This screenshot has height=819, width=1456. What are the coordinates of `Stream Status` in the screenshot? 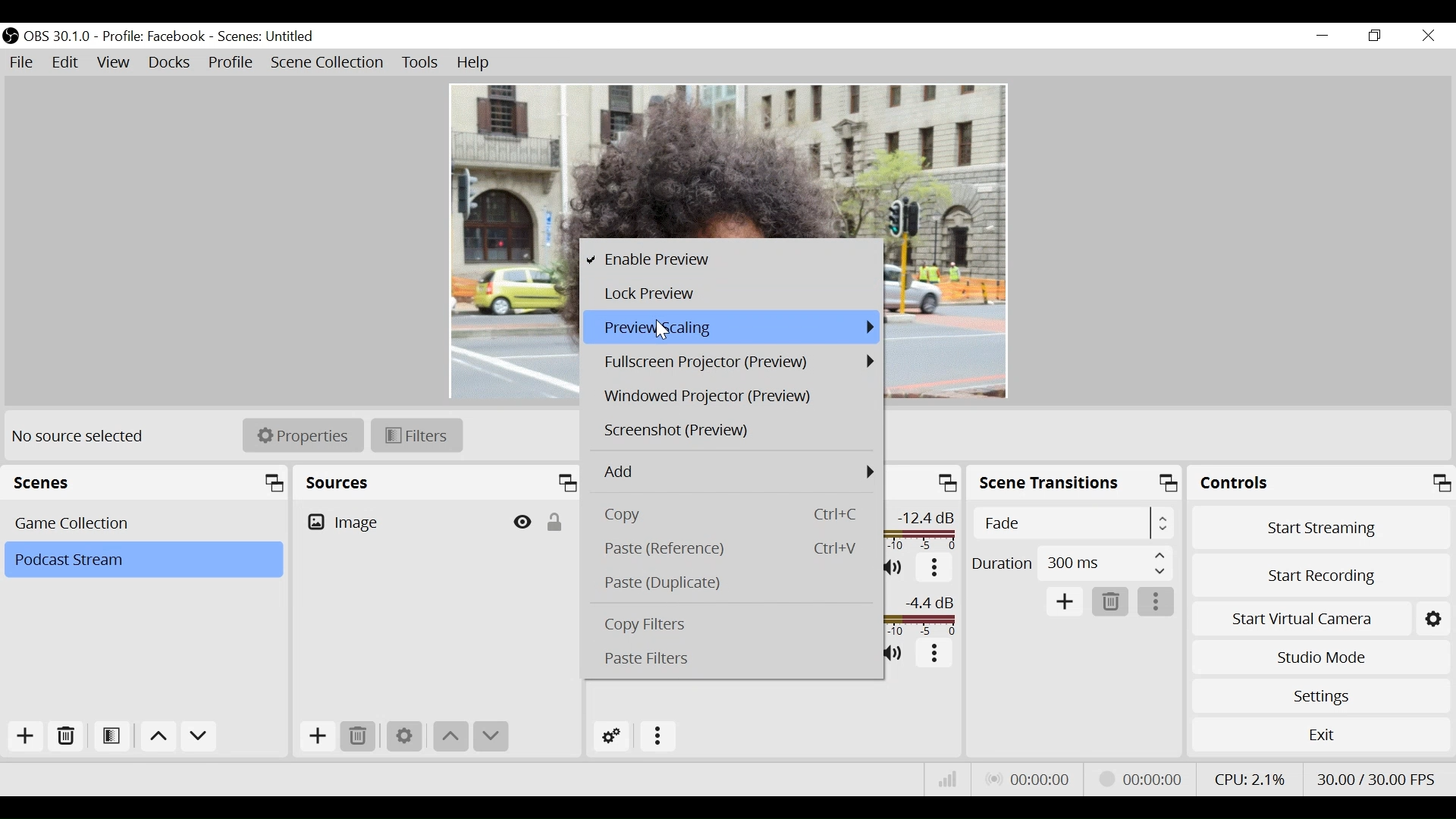 It's located at (1141, 780).